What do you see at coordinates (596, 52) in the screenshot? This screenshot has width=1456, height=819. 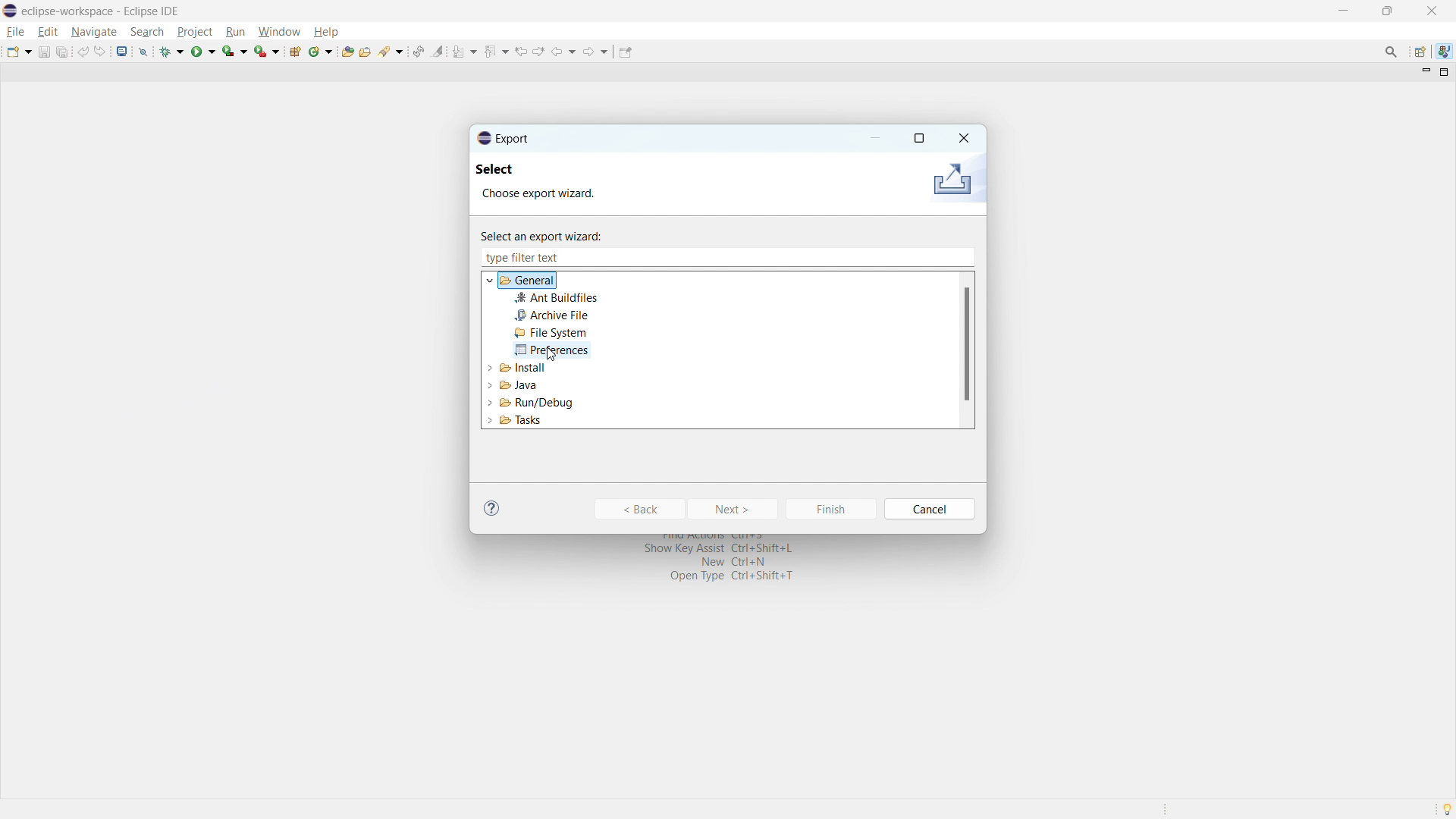 I see `forward` at bounding box center [596, 52].